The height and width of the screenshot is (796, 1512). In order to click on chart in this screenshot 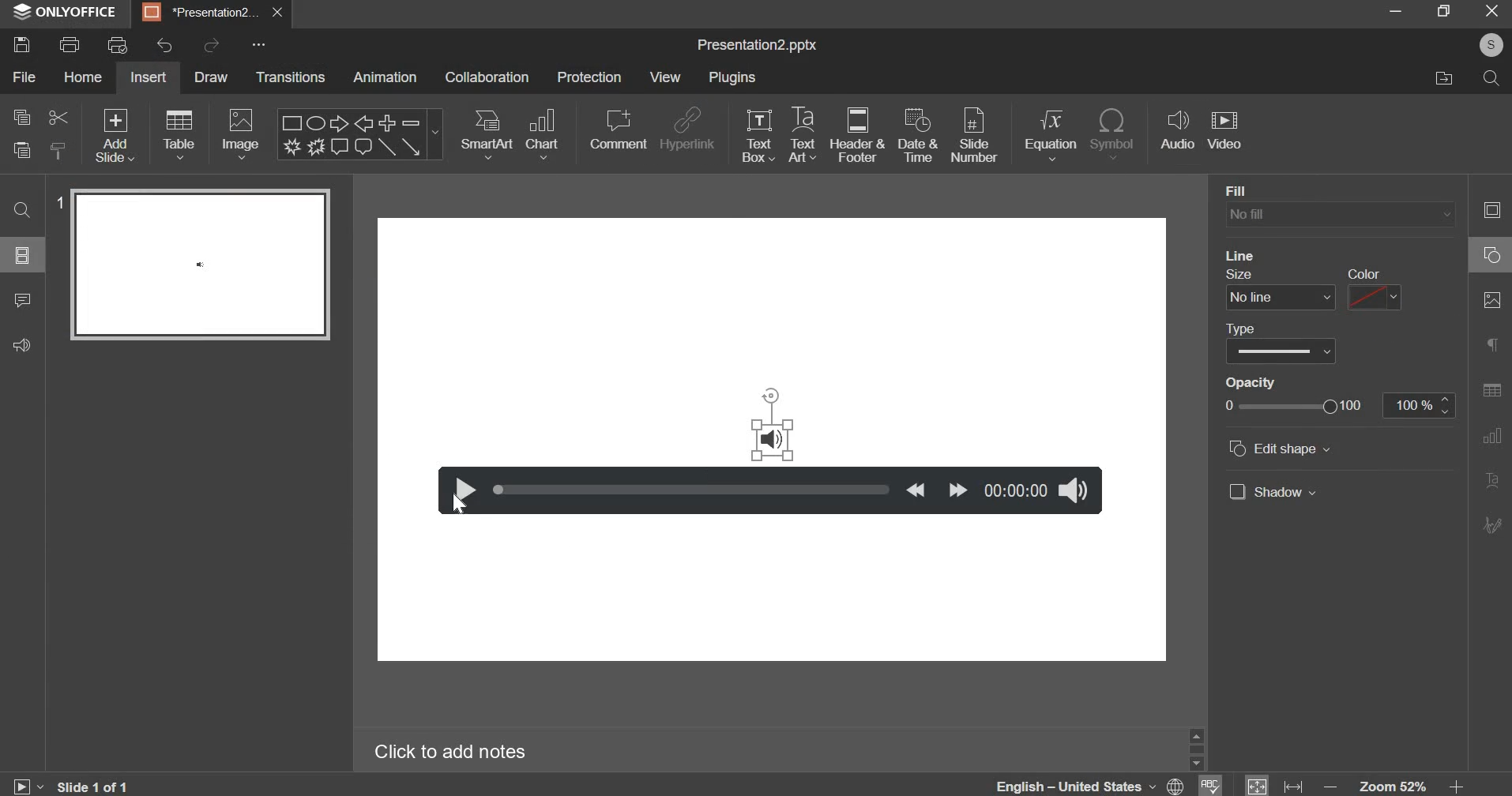, I will do `click(543, 134)`.